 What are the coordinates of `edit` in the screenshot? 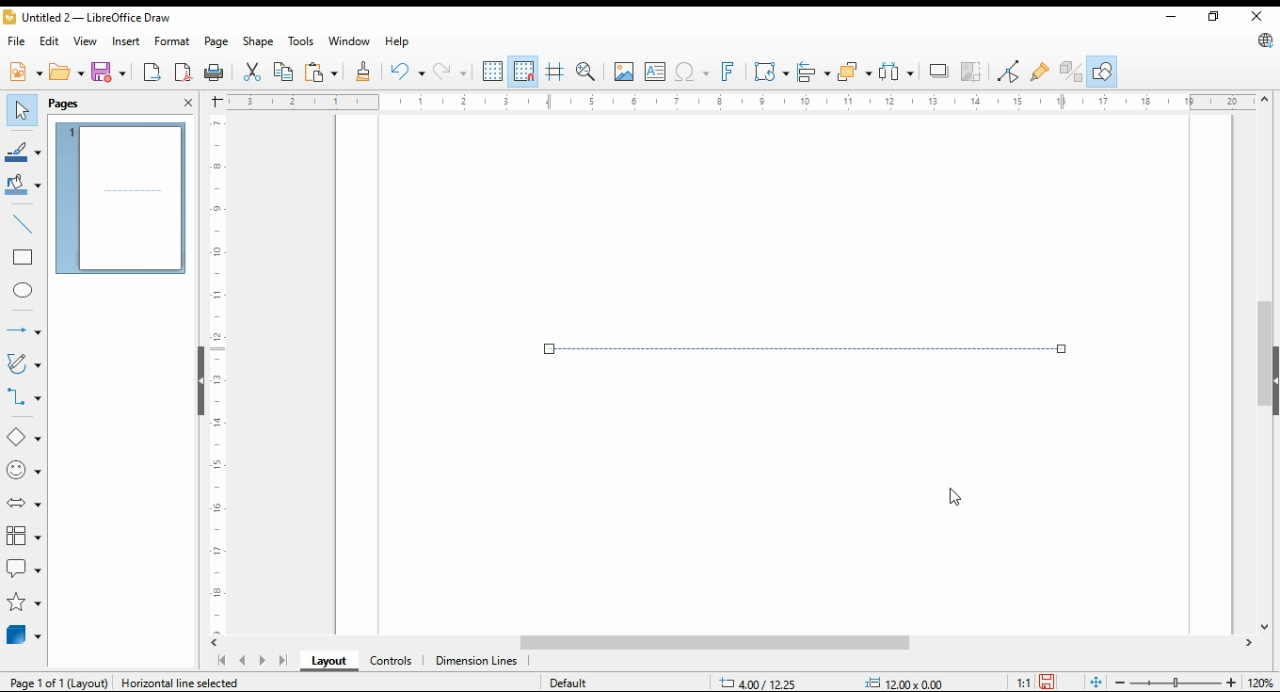 It's located at (48, 39).